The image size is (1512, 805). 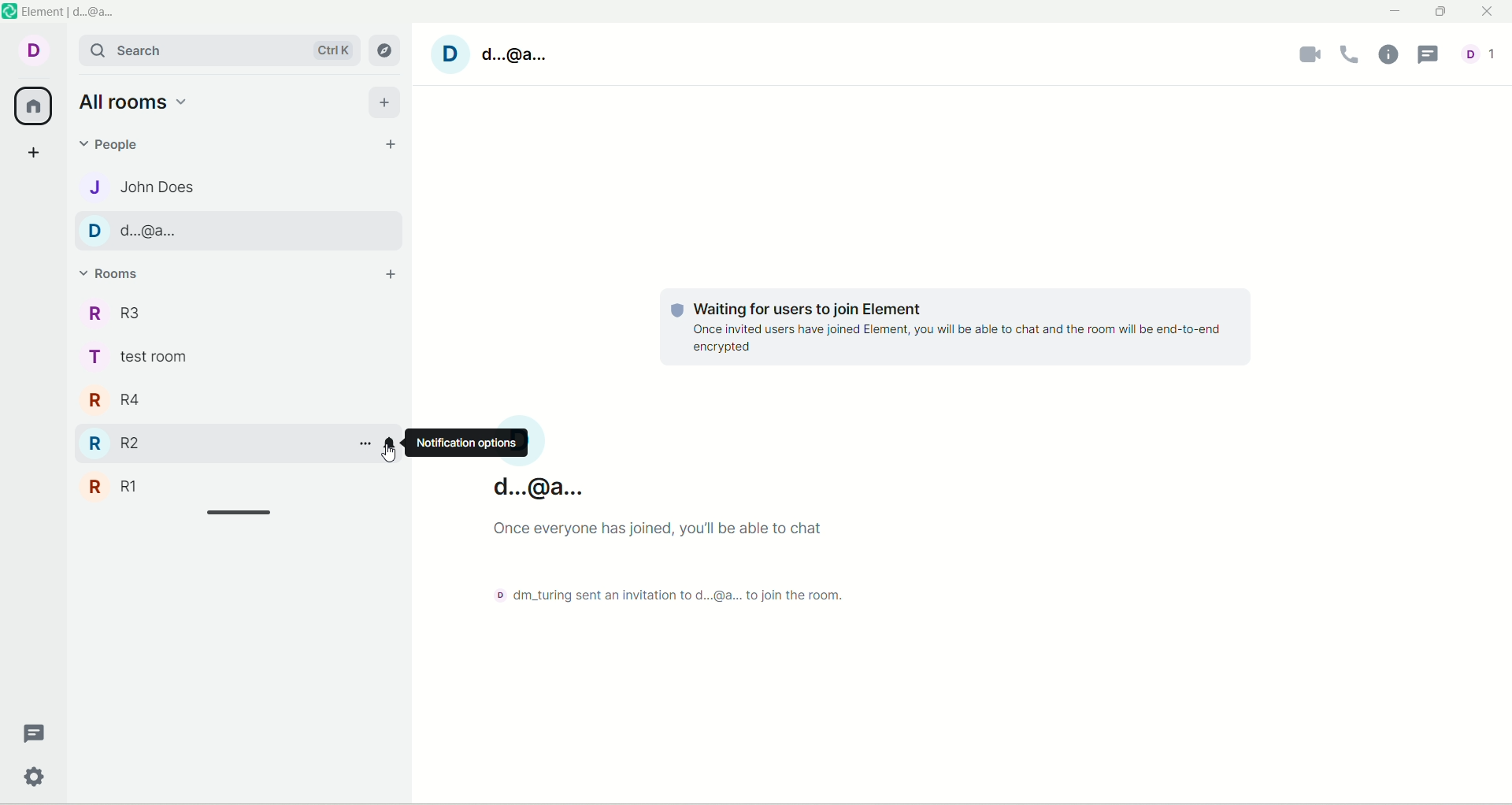 What do you see at coordinates (14, 13) in the screenshot?
I see `logo` at bounding box center [14, 13].